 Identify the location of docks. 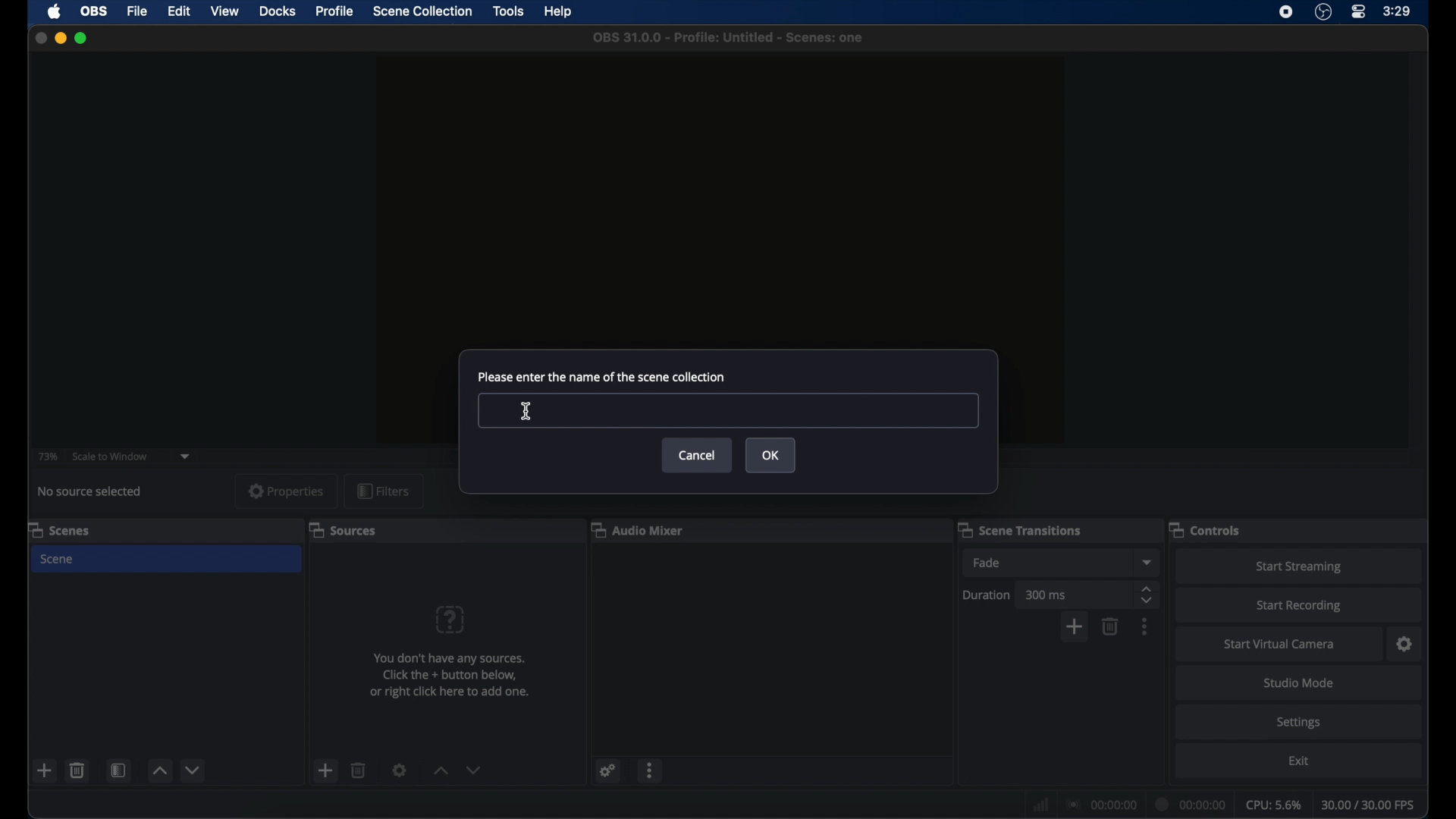
(278, 11).